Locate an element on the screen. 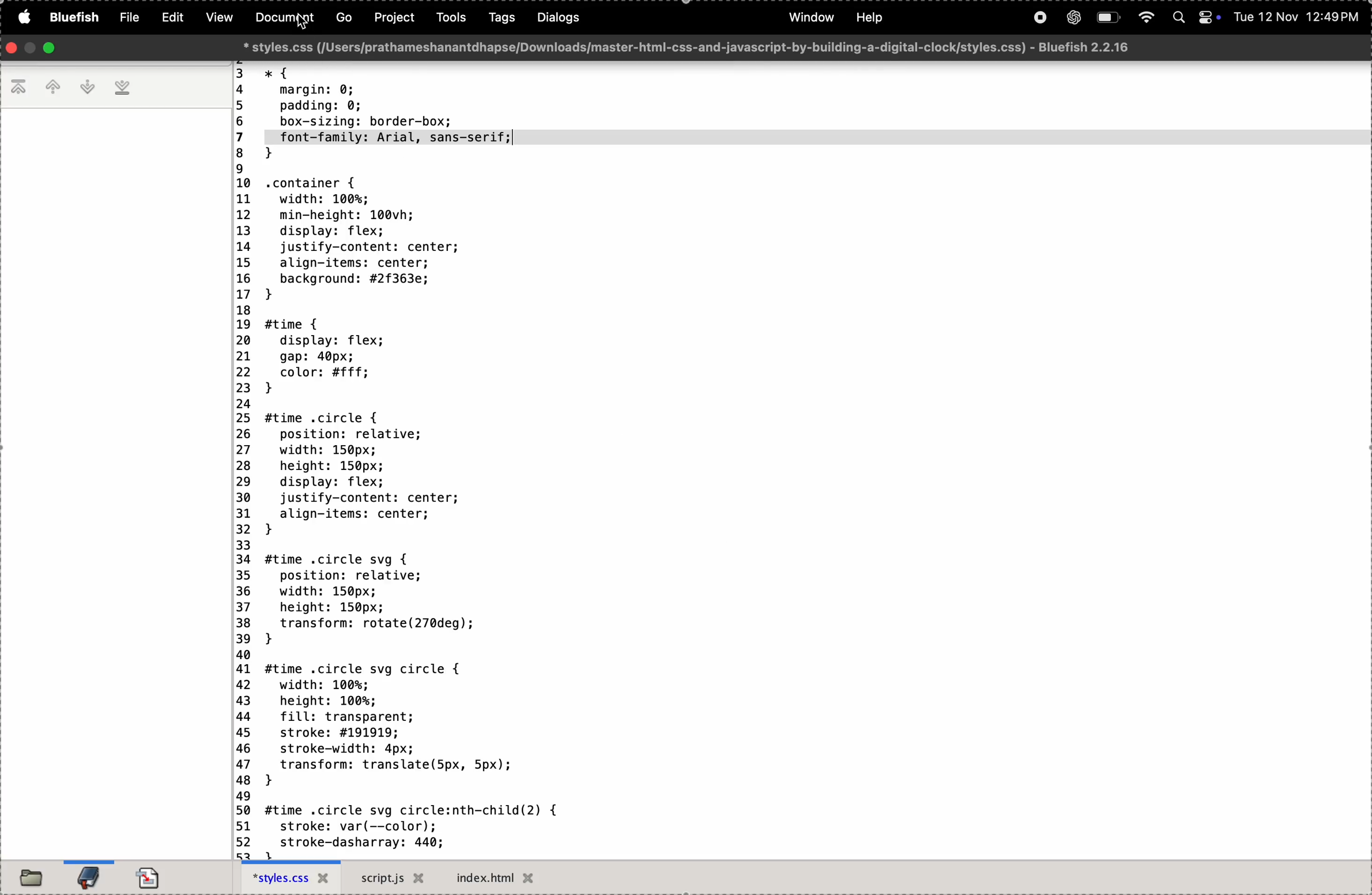  edit is located at coordinates (174, 17).